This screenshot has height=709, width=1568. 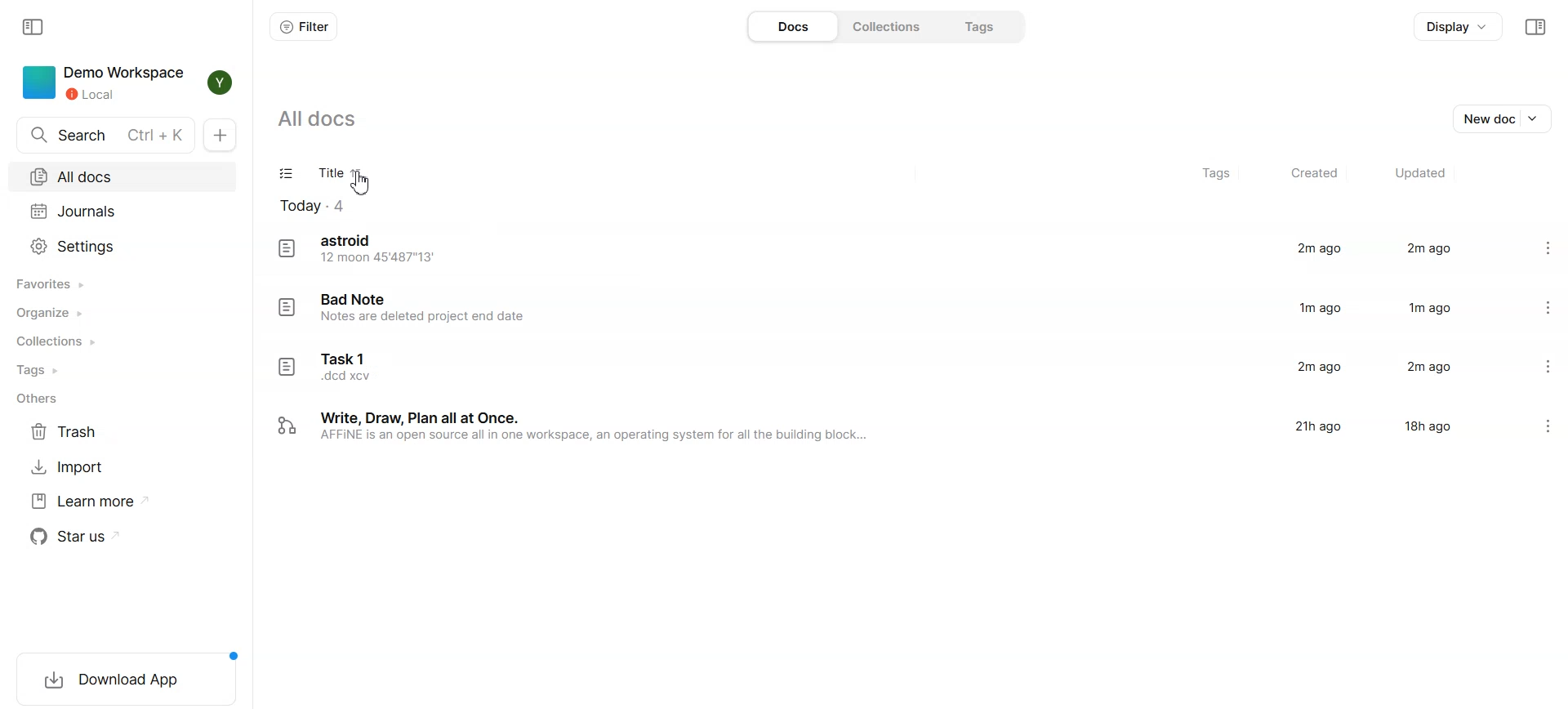 What do you see at coordinates (1550, 430) in the screenshot?
I see `Settings` at bounding box center [1550, 430].